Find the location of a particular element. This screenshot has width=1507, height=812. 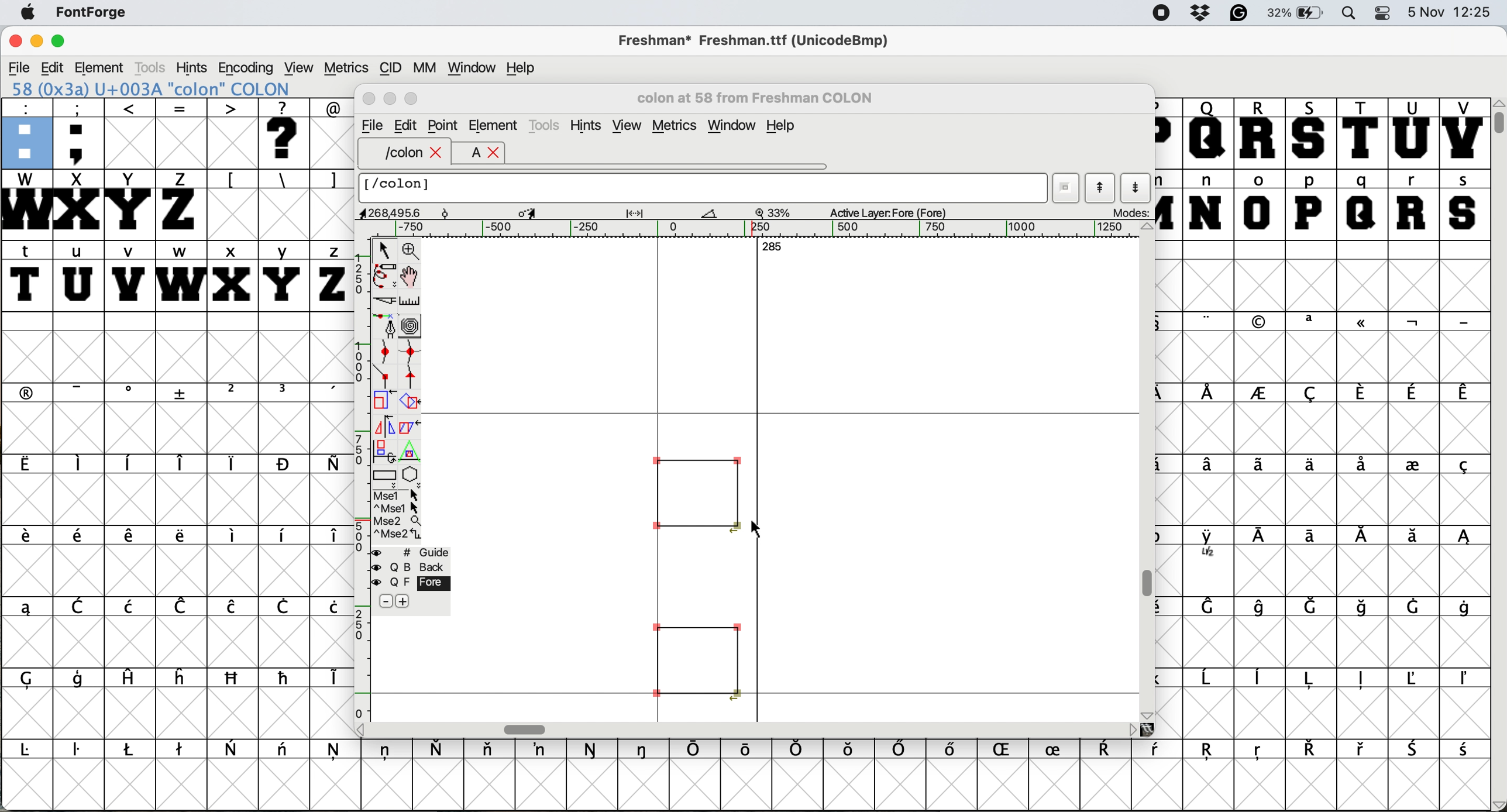

U is located at coordinates (1412, 133).